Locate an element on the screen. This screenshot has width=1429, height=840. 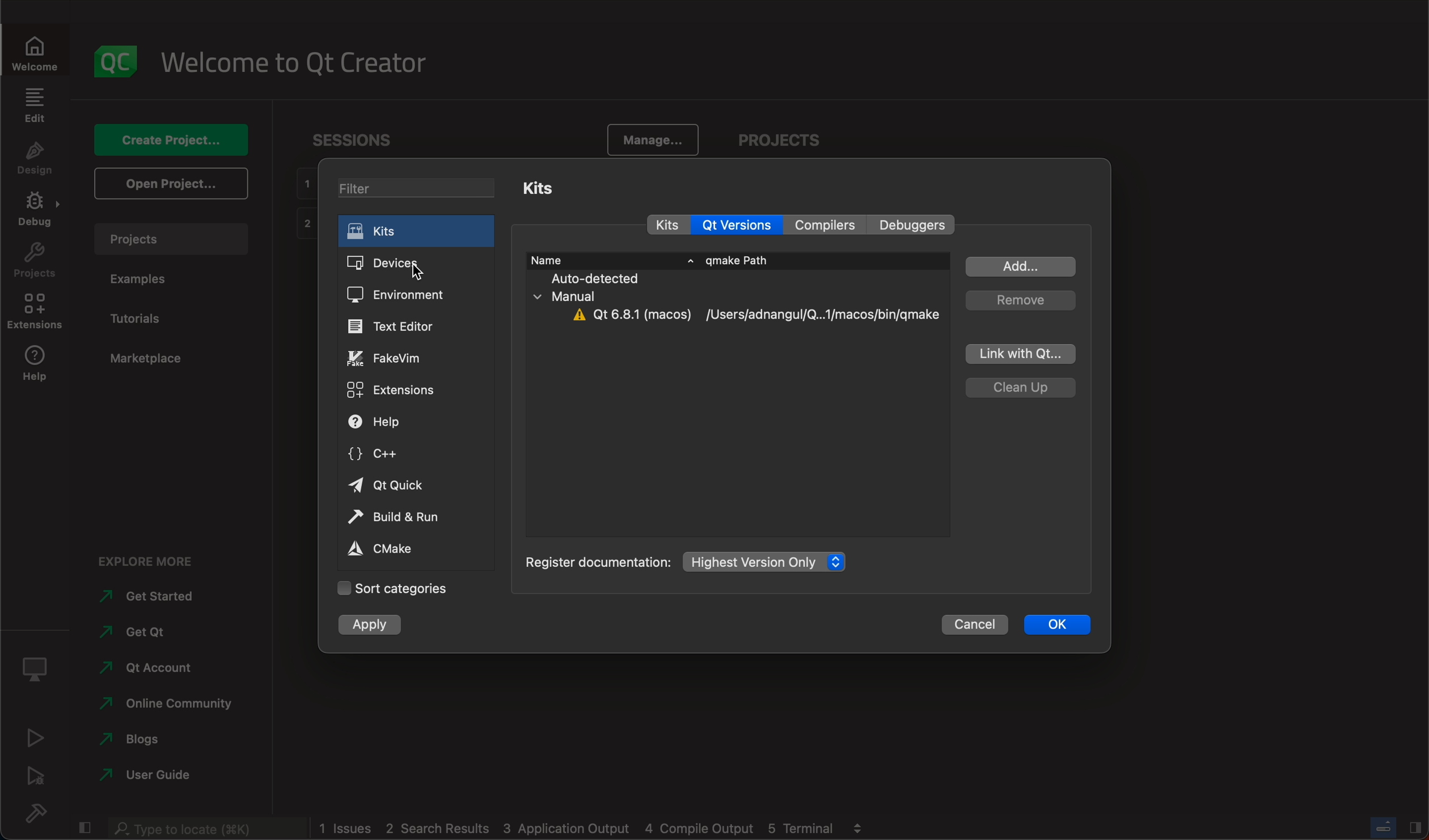
projects is located at coordinates (33, 264).